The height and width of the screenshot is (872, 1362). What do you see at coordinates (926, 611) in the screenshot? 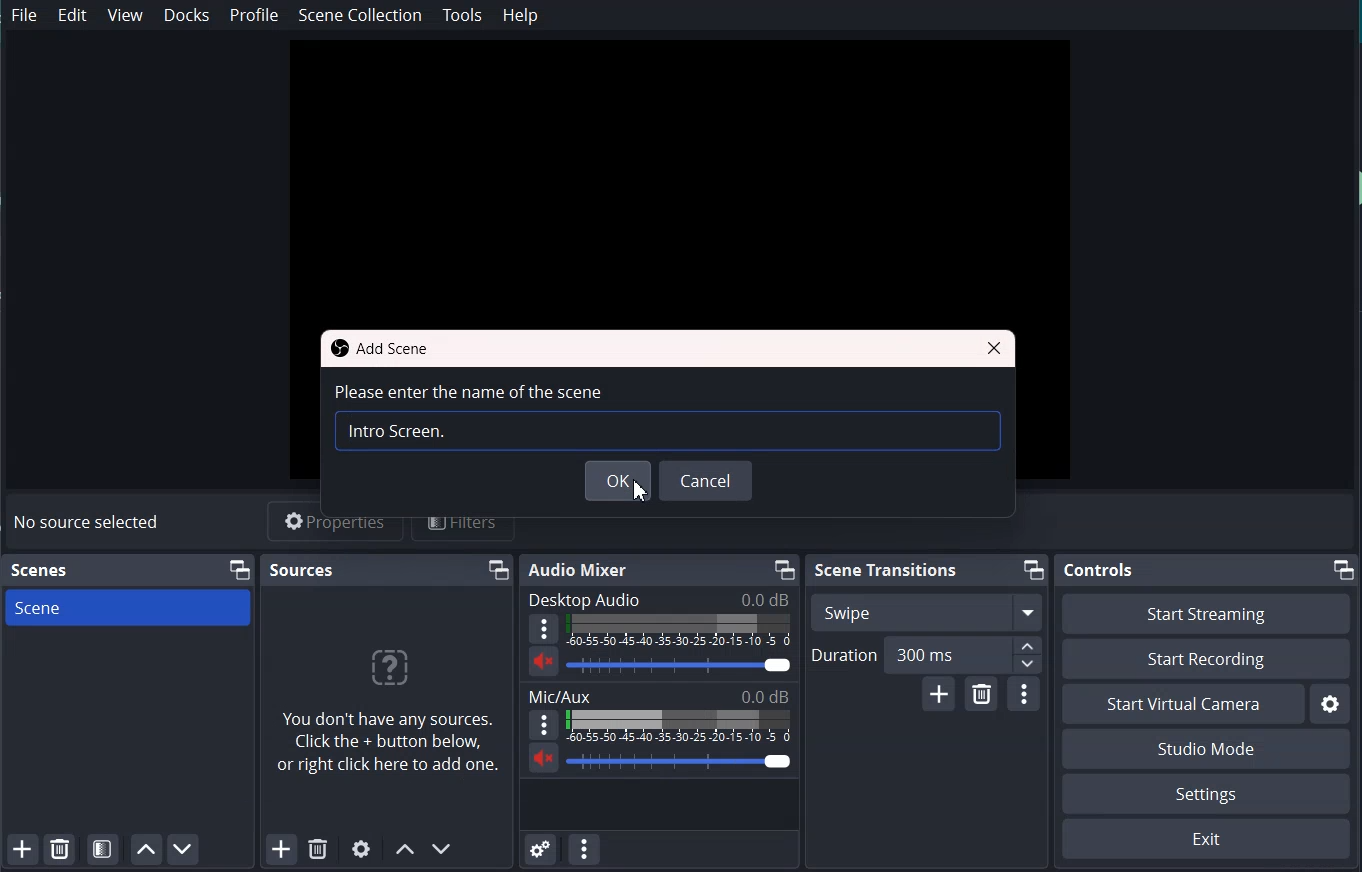
I see `Swipe` at bounding box center [926, 611].